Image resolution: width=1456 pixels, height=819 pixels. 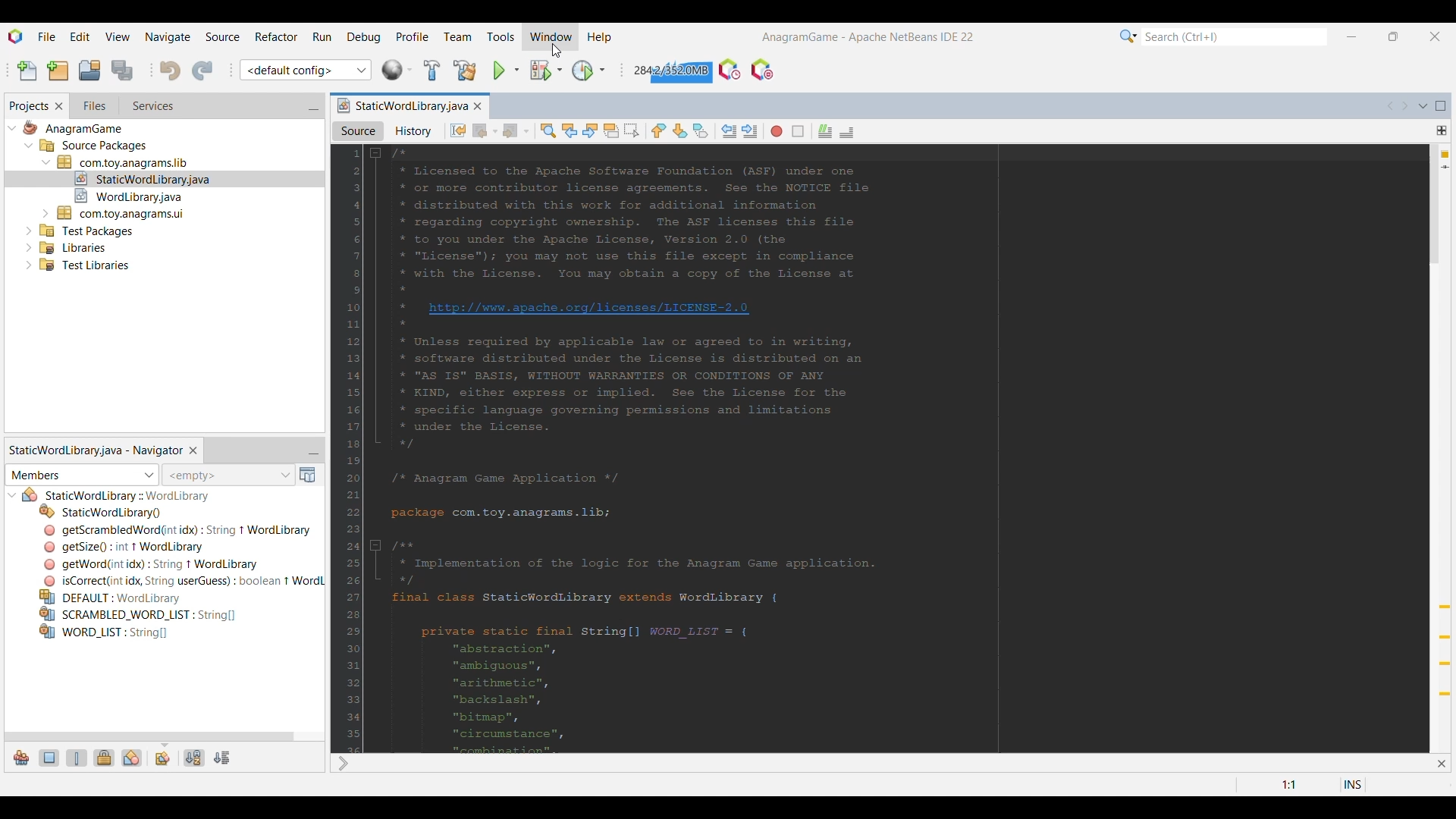 I want to click on Show non-public members, so click(x=104, y=758).